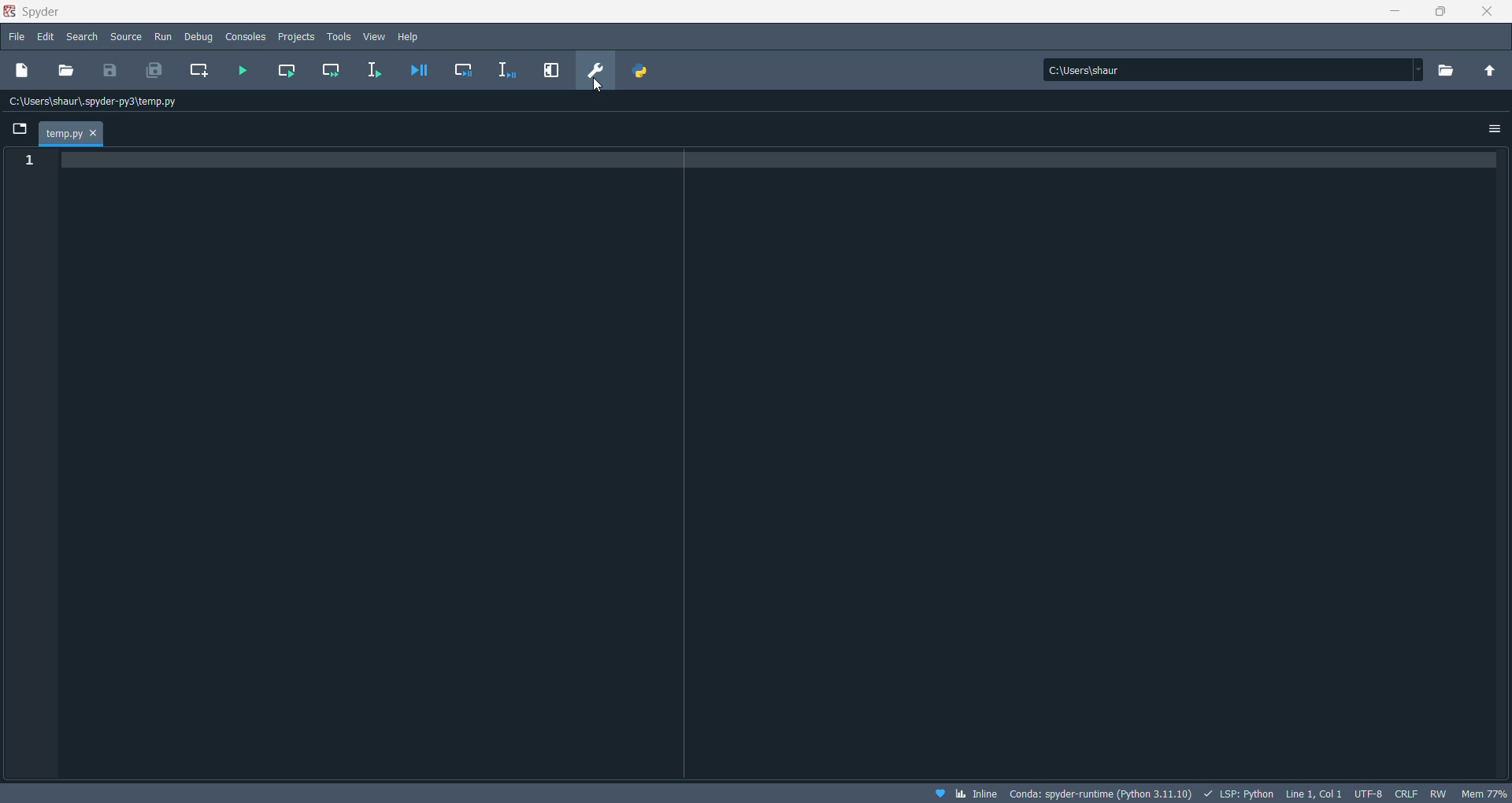 The image size is (1512, 803). Describe the element at coordinates (508, 72) in the screenshot. I see `debug selection or current line` at that location.